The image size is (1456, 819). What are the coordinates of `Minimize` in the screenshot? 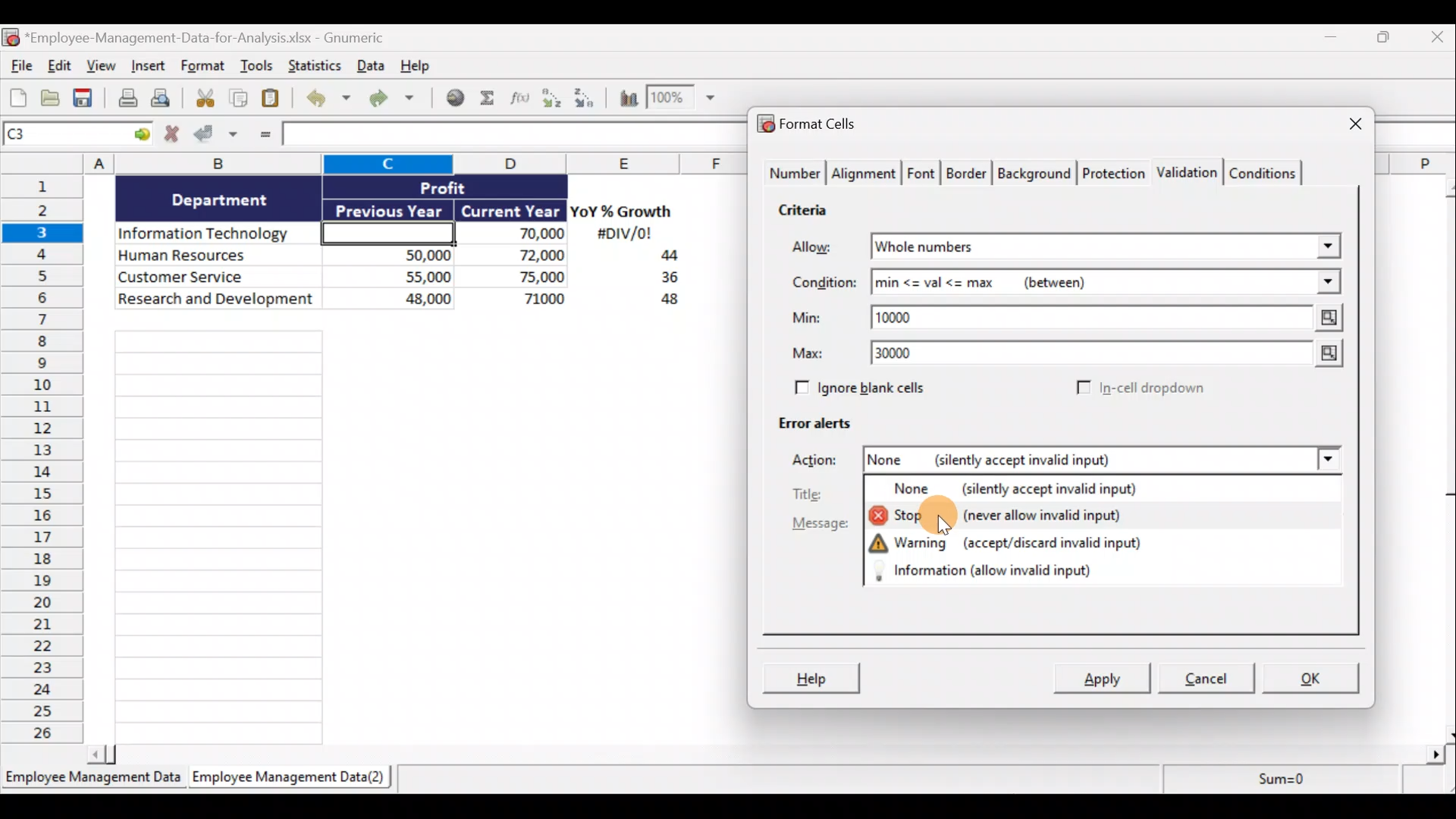 It's located at (1336, 40).